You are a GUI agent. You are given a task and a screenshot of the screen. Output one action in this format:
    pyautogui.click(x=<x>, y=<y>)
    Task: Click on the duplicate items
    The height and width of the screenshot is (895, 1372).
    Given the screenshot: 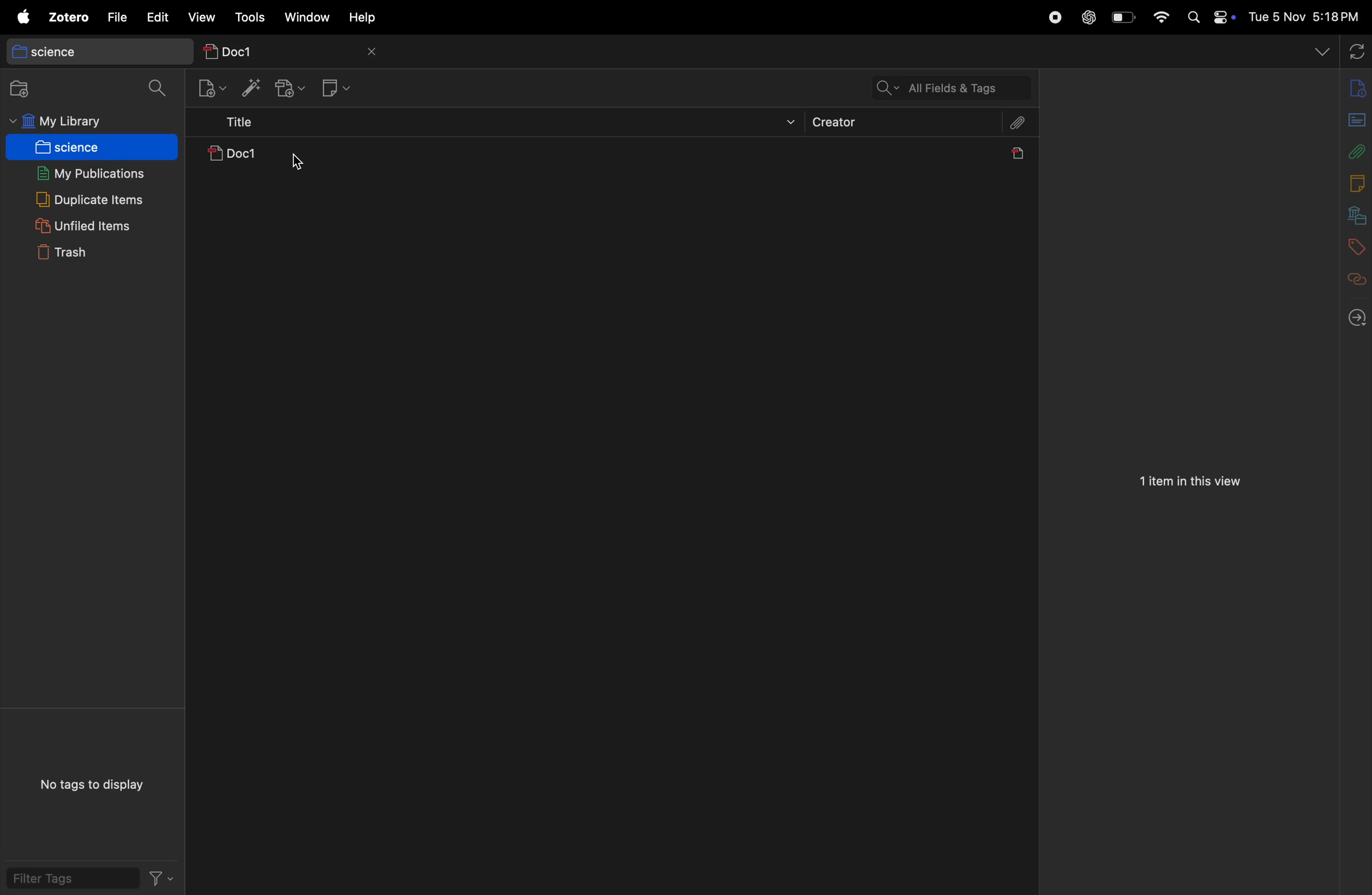 What is the action you would take?
    pyautogui.click(x=91, y=198)
    